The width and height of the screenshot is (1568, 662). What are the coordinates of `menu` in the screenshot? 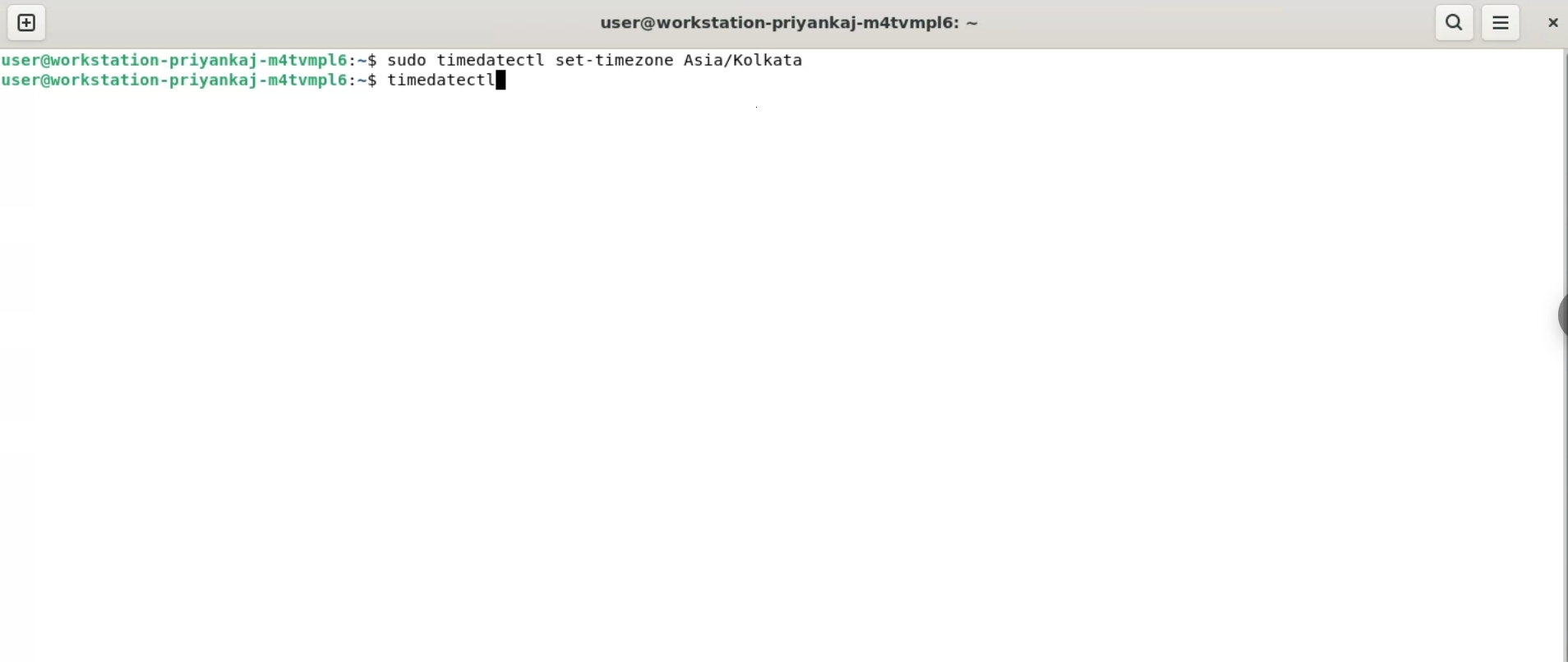 It's located at (1501, 23).